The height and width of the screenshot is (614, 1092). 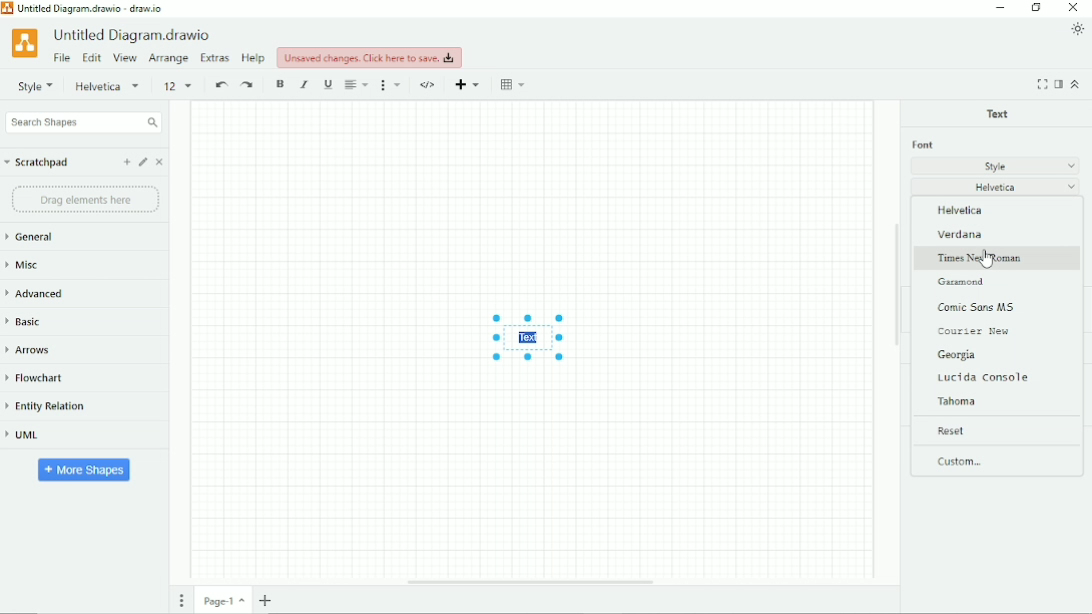 I want to click on Cursor Position, so click(x=987, y=259).